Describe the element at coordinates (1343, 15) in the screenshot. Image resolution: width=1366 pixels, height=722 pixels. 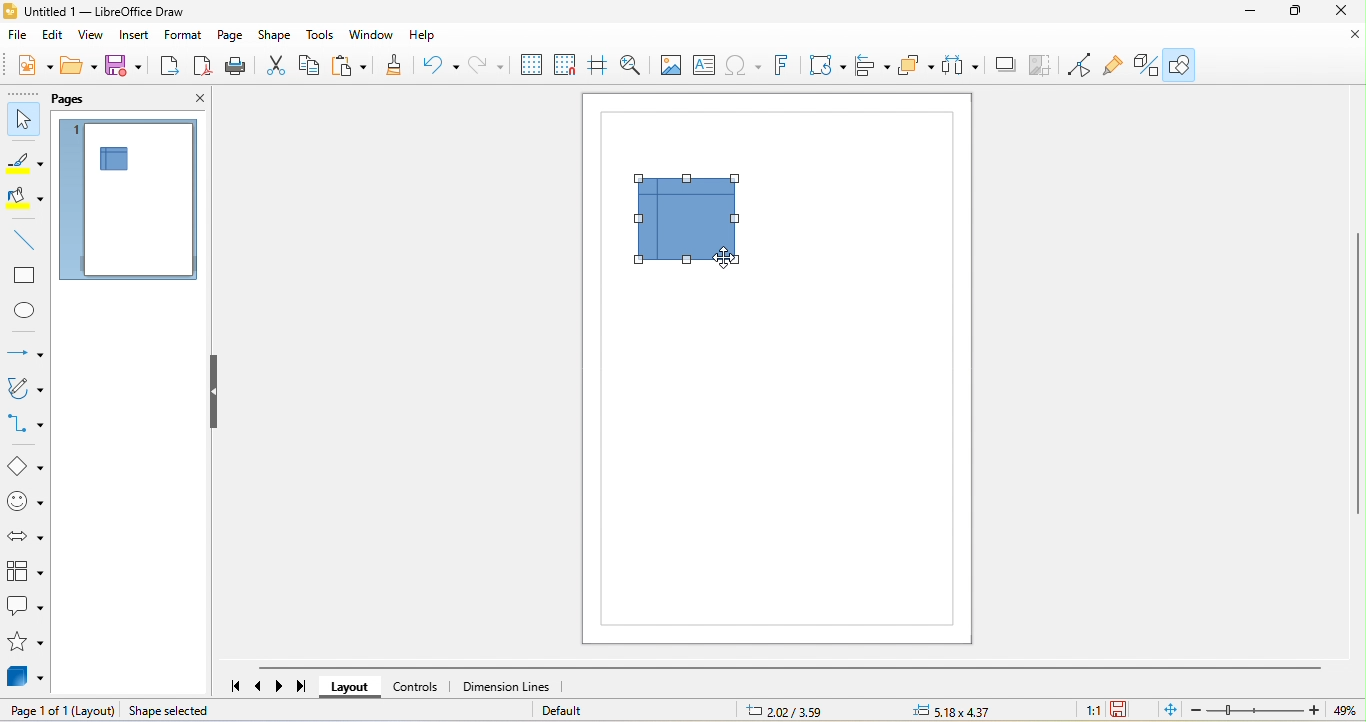
I see `close` at that location.